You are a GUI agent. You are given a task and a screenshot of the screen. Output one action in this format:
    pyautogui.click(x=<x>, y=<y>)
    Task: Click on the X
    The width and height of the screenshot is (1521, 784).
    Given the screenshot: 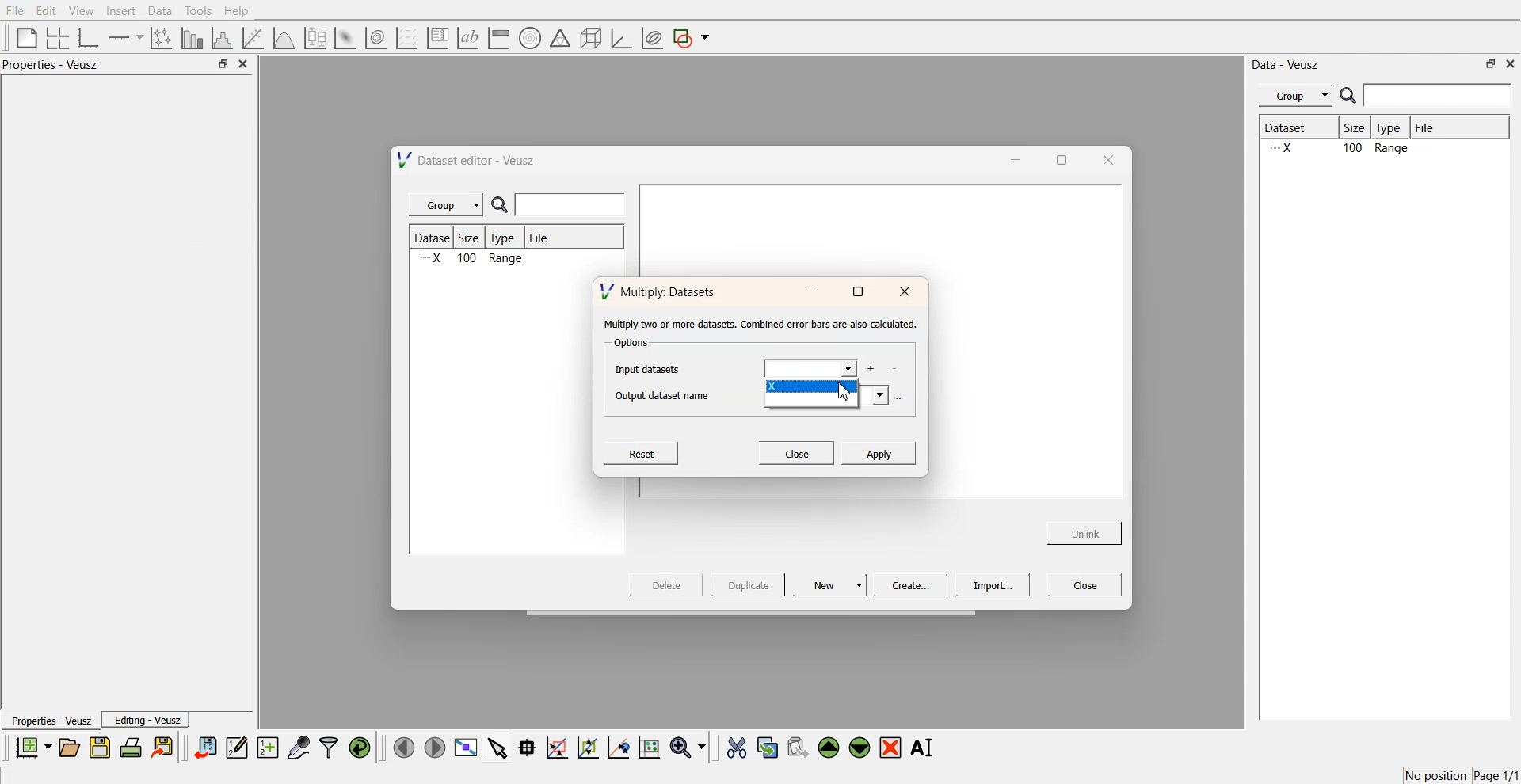 What is the action you would take?
    pyautogui.click(x=811, y=388)
    